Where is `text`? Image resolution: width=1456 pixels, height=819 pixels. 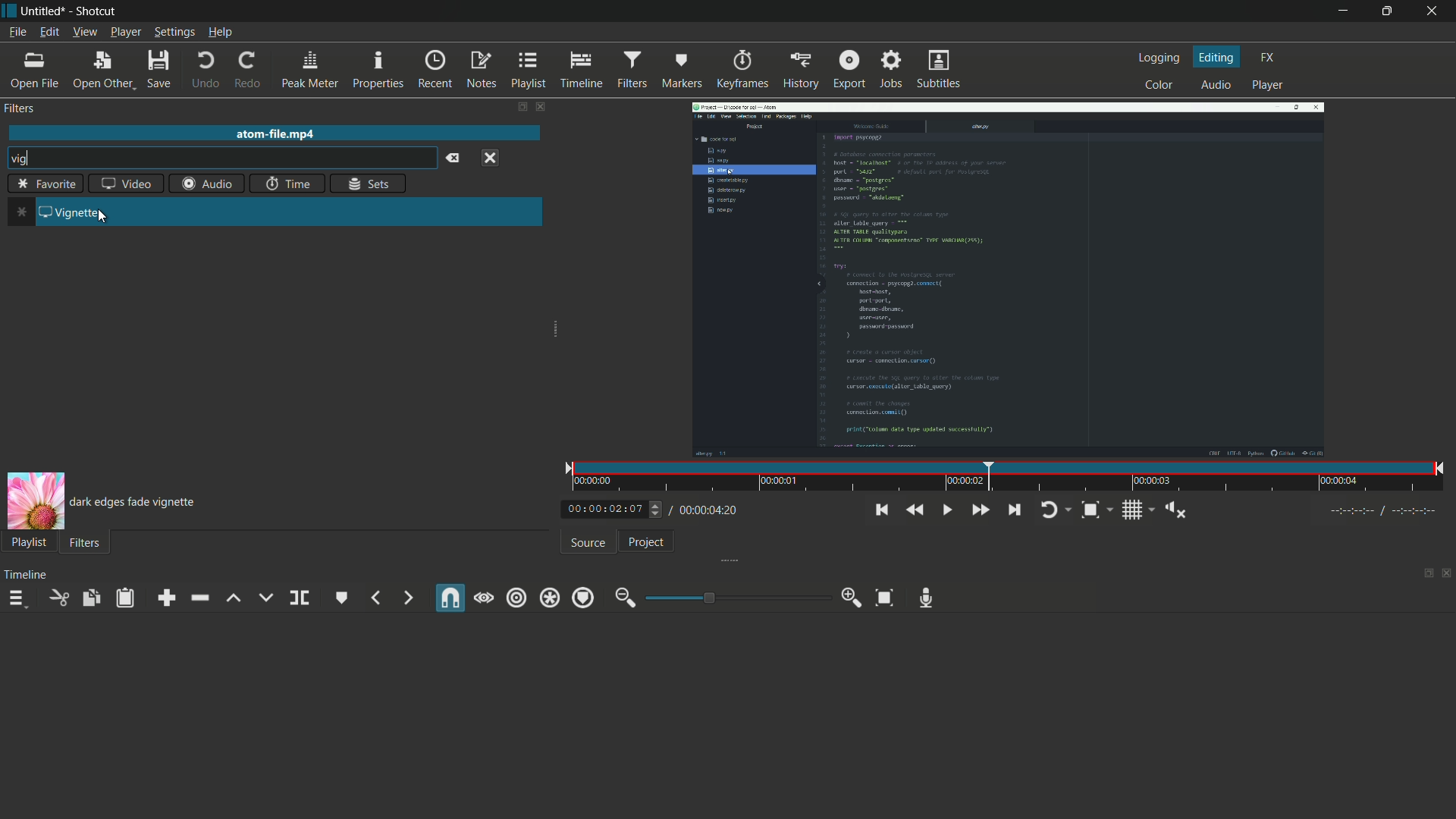 text is located at coordinates (133, 501).